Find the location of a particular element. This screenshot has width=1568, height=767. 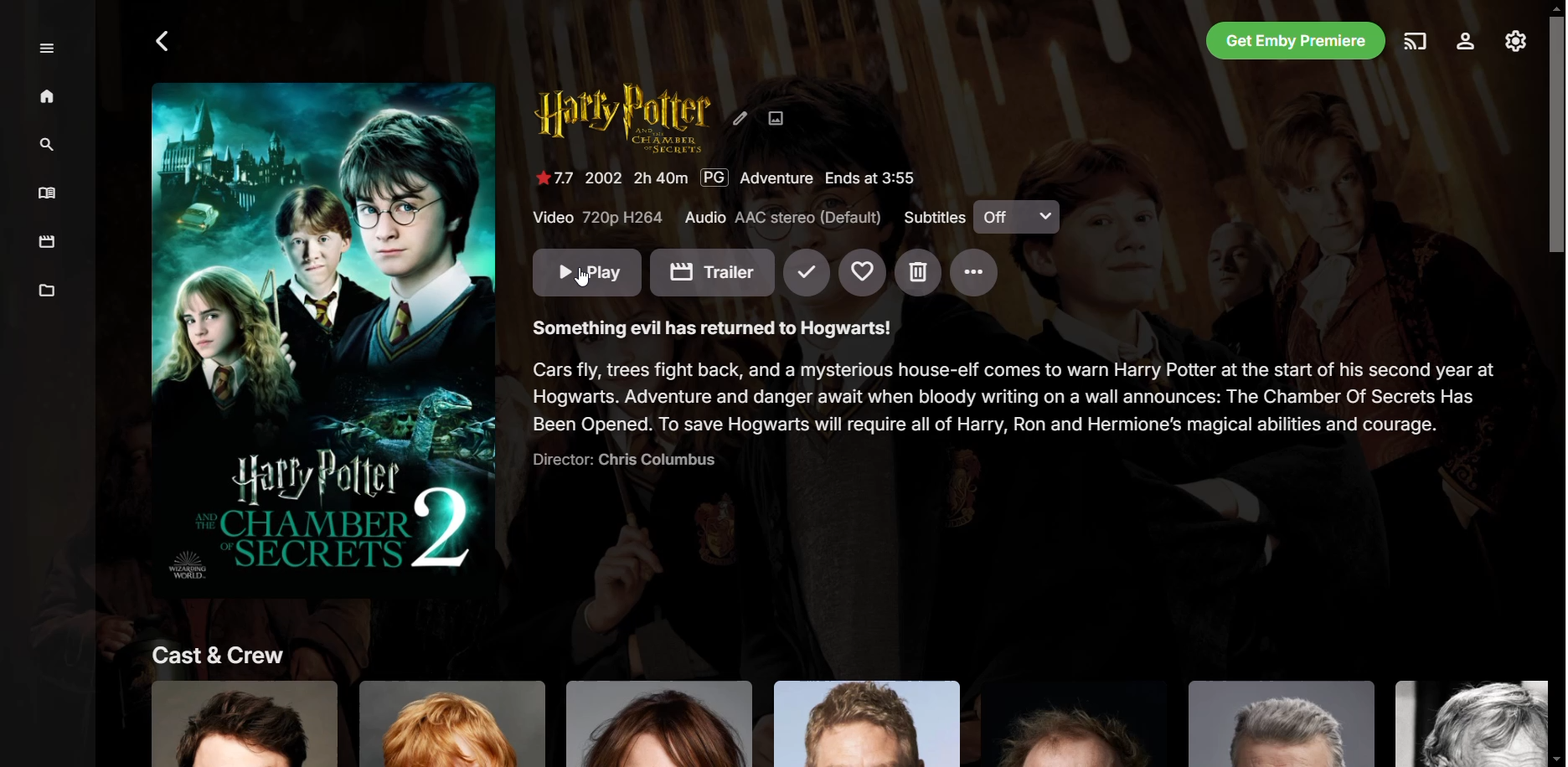

Movie Details is located at coordinates (738, 178).